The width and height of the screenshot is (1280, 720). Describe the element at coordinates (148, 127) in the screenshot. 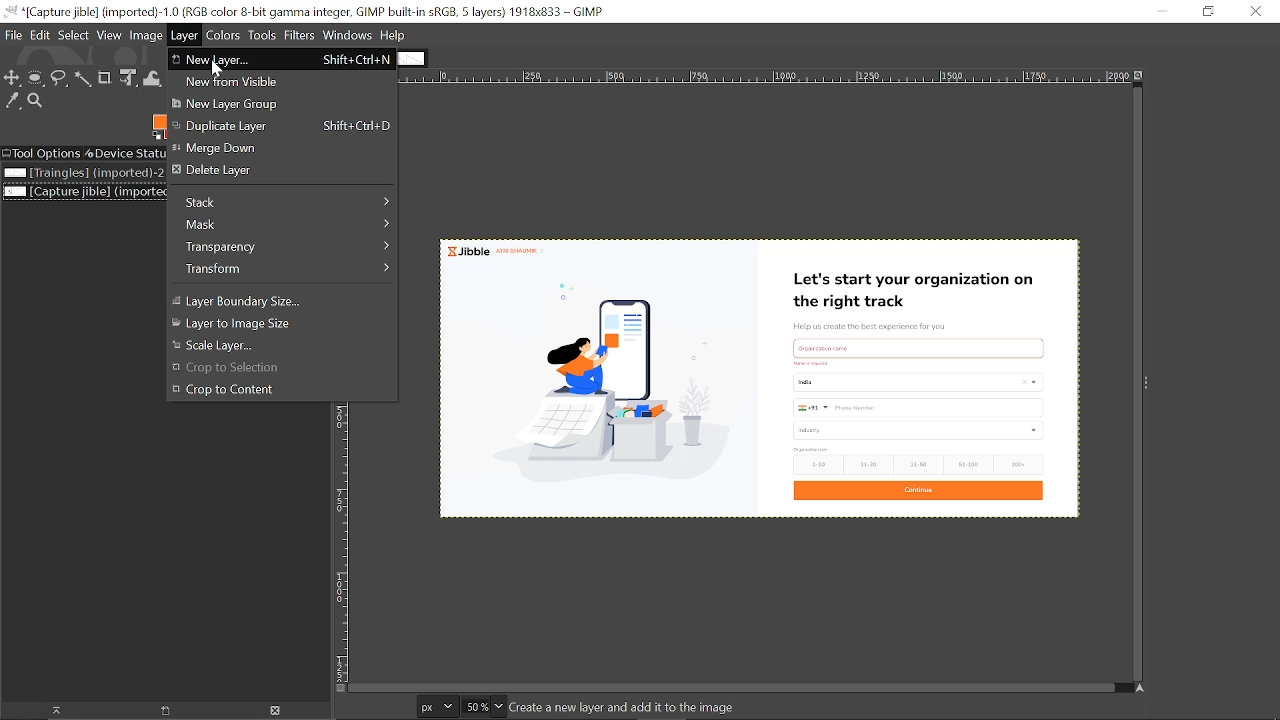

I see `Foreground tool` at that location.